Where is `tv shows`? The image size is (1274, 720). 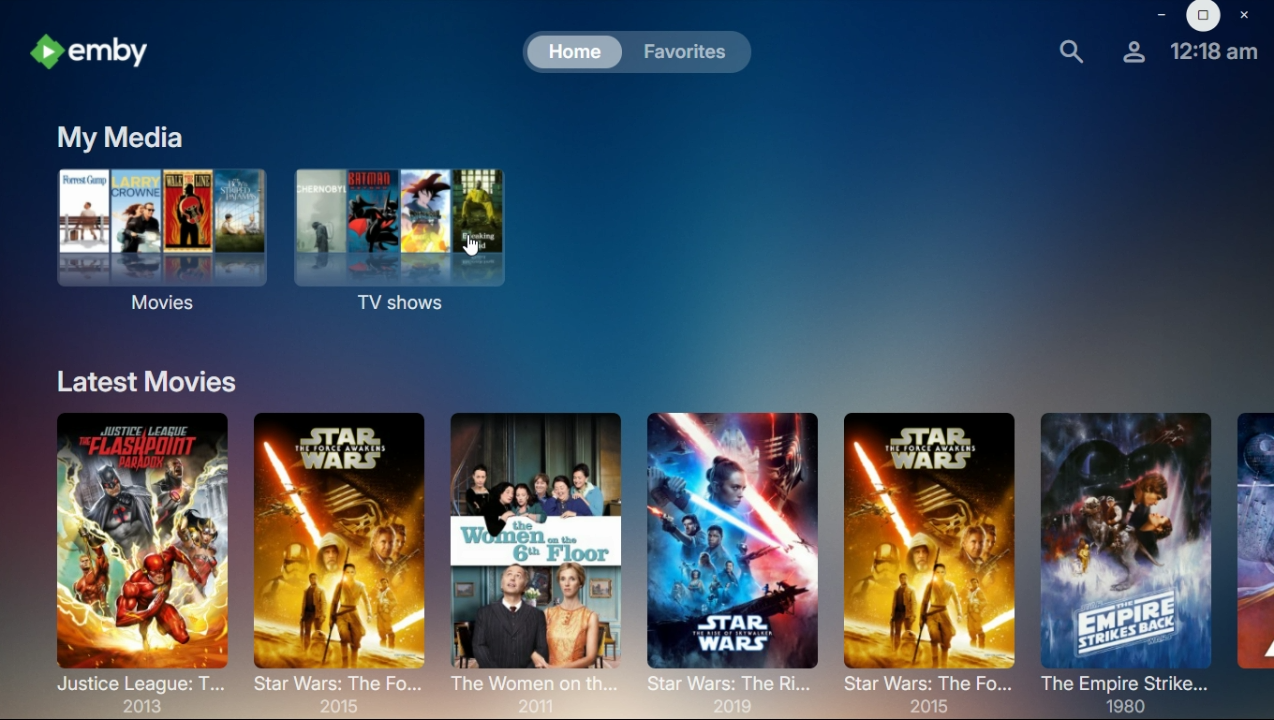 tv shows is located at coordinates (399, 237).